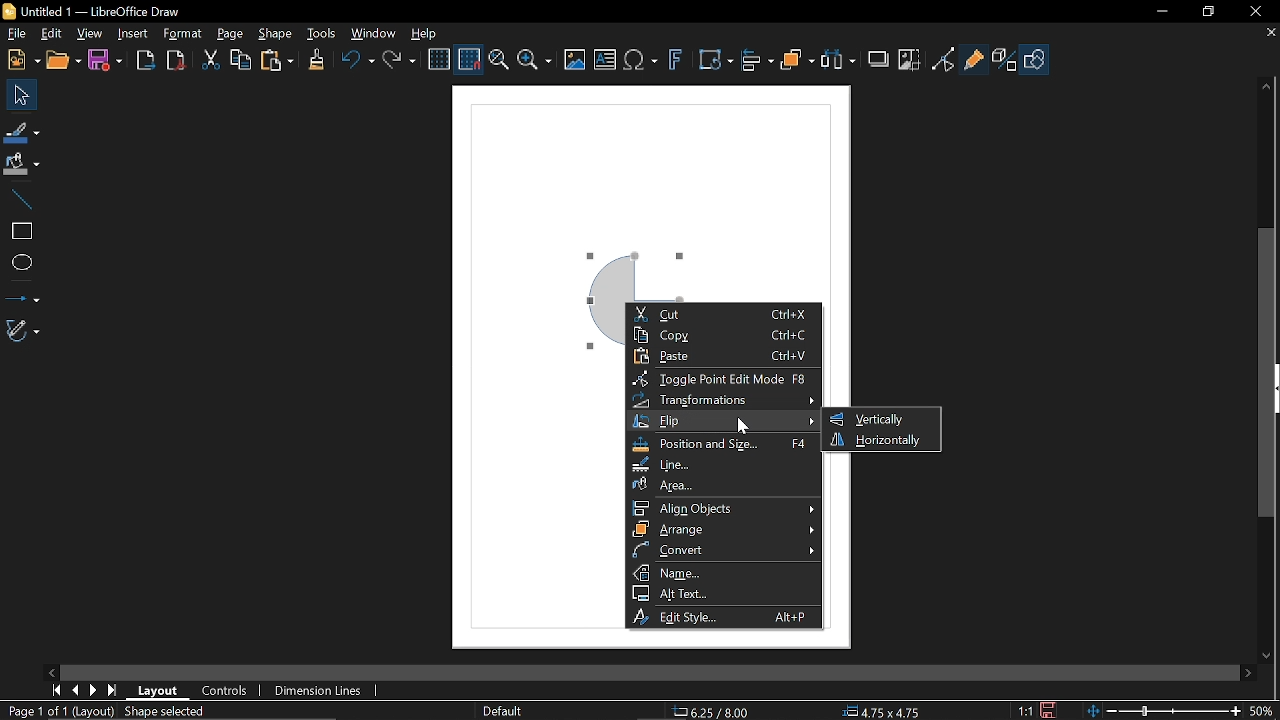  What do you see at coordinates (1250, 672) in the screenshot?
I see `Move right` at bounding box center [1250, 672].